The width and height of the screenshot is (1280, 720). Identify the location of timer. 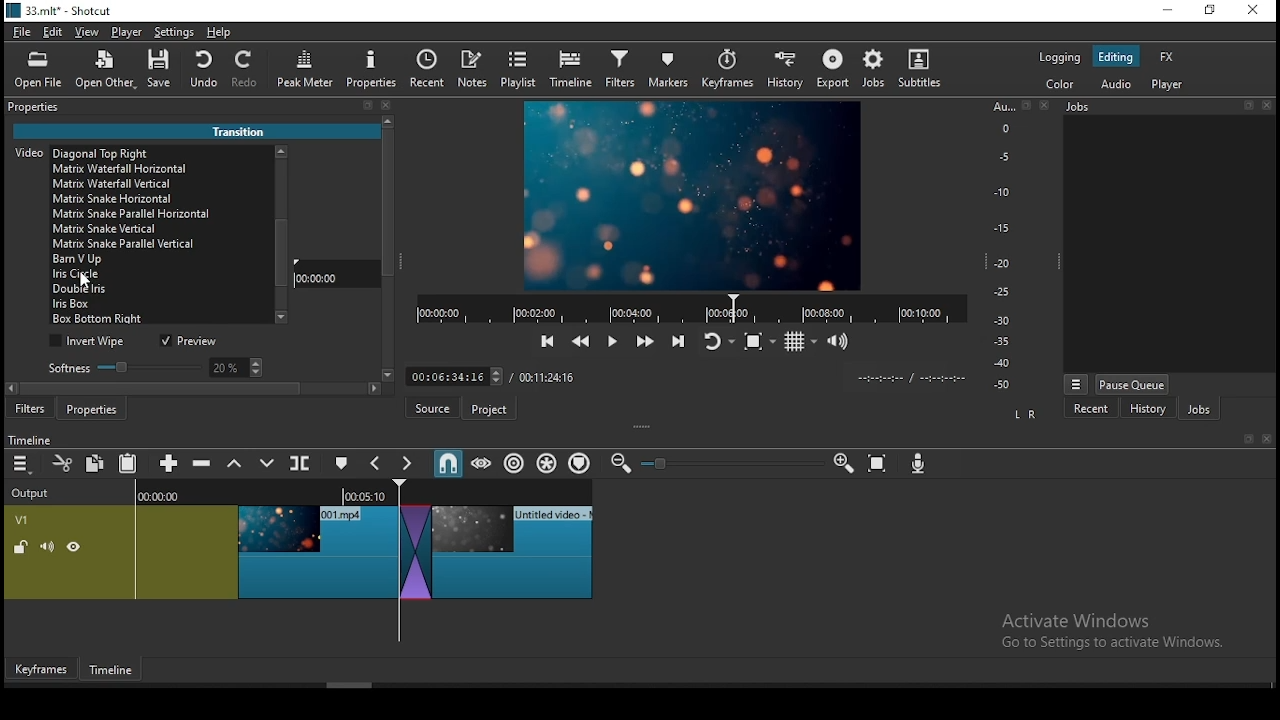
(686, 308).